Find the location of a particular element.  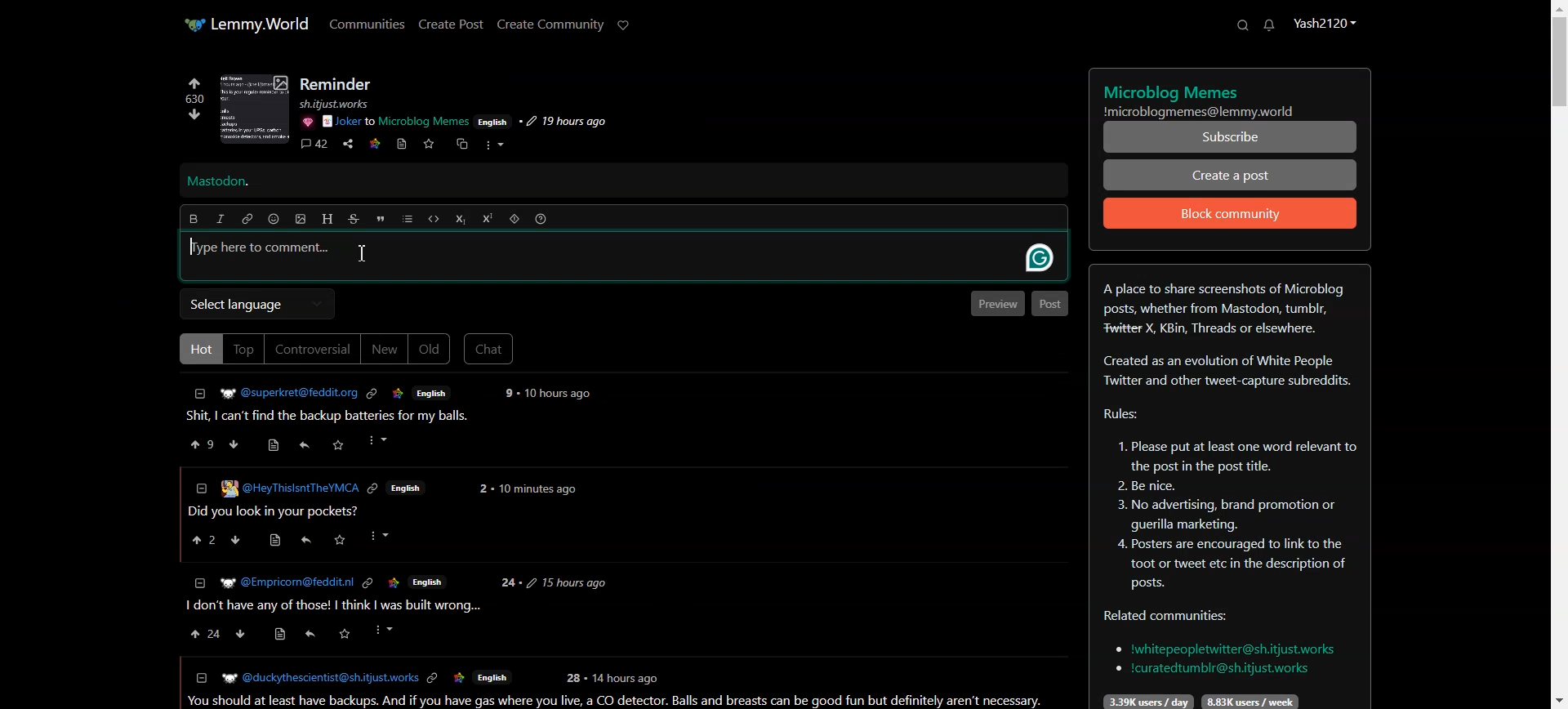

=} is located at coordinates (198, 582).